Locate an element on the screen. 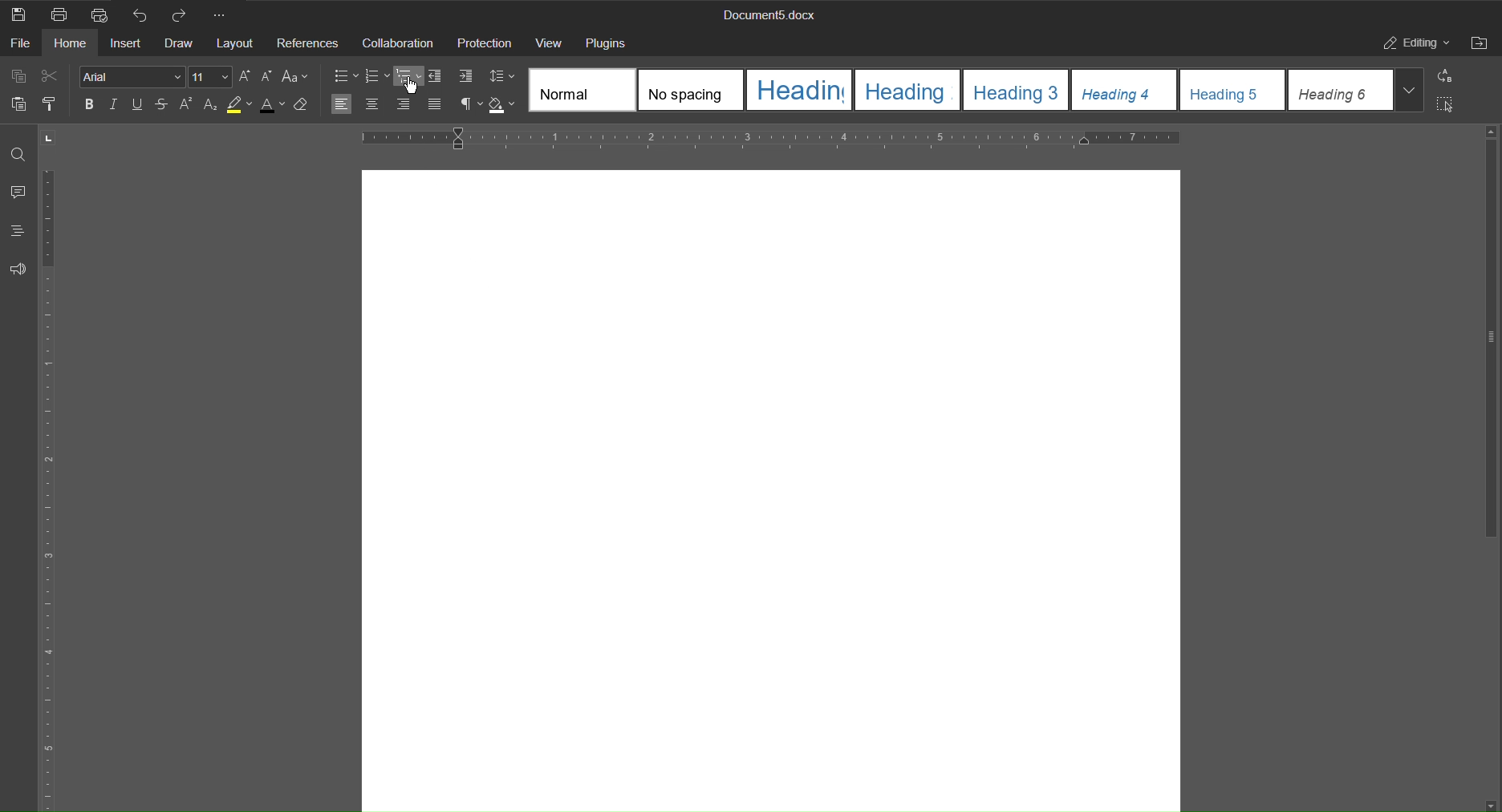  Multilevel list is located at coordinates (408, 76).